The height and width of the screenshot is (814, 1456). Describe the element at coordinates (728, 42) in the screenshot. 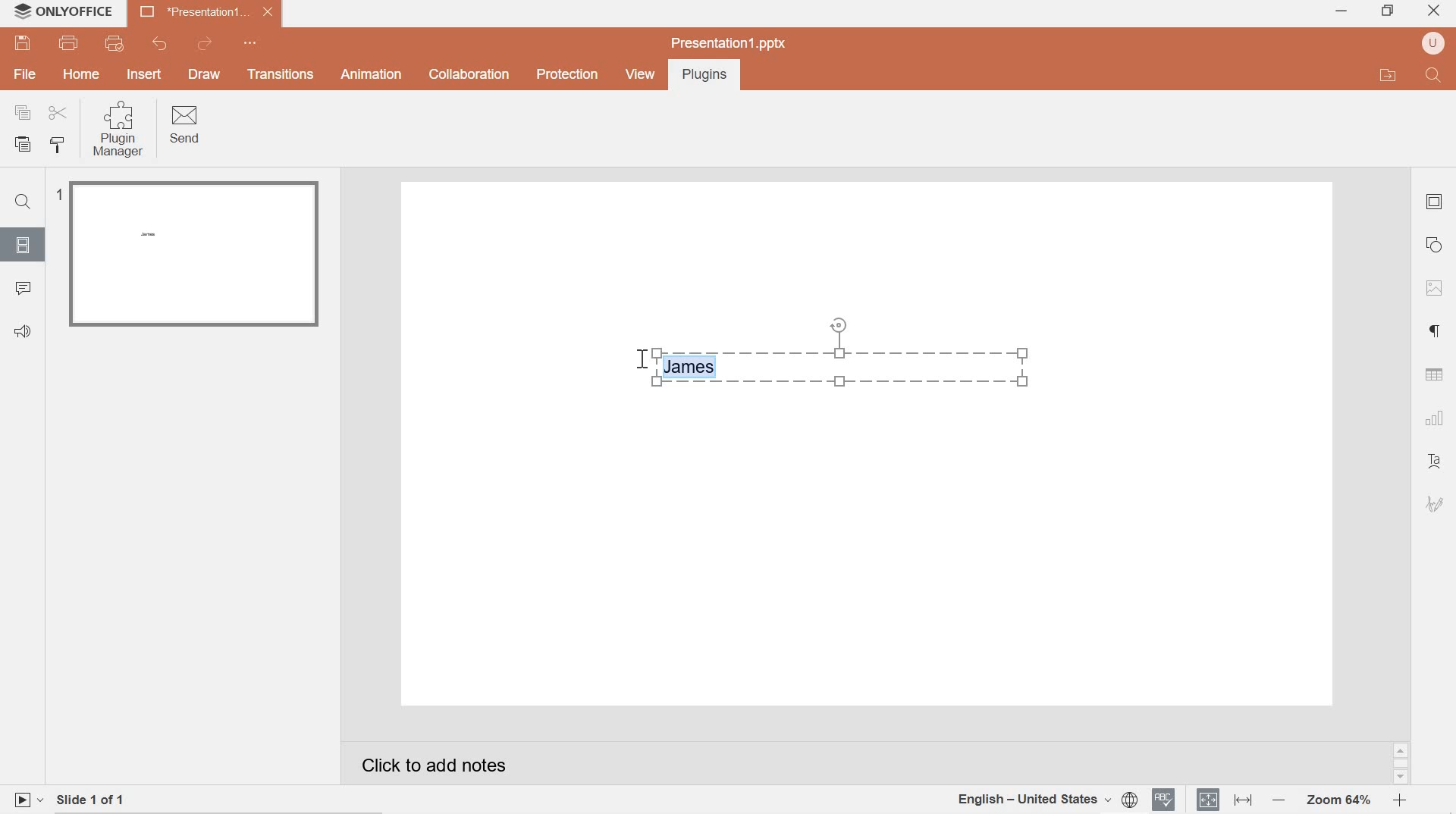

I see `presentation1.pptx` at that location.